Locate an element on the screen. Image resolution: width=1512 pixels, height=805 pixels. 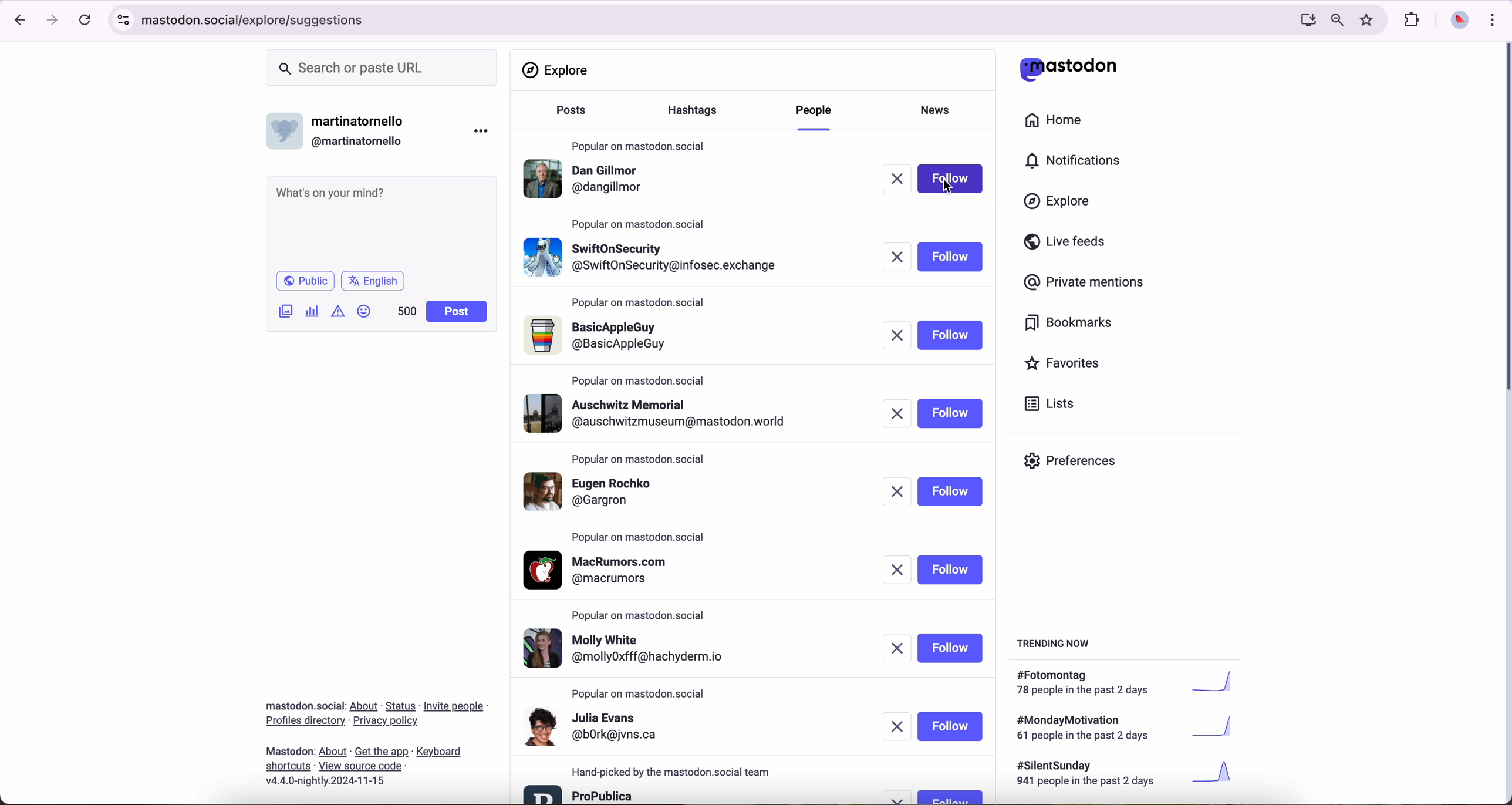
500 characters is located at coordinates (406, 311).